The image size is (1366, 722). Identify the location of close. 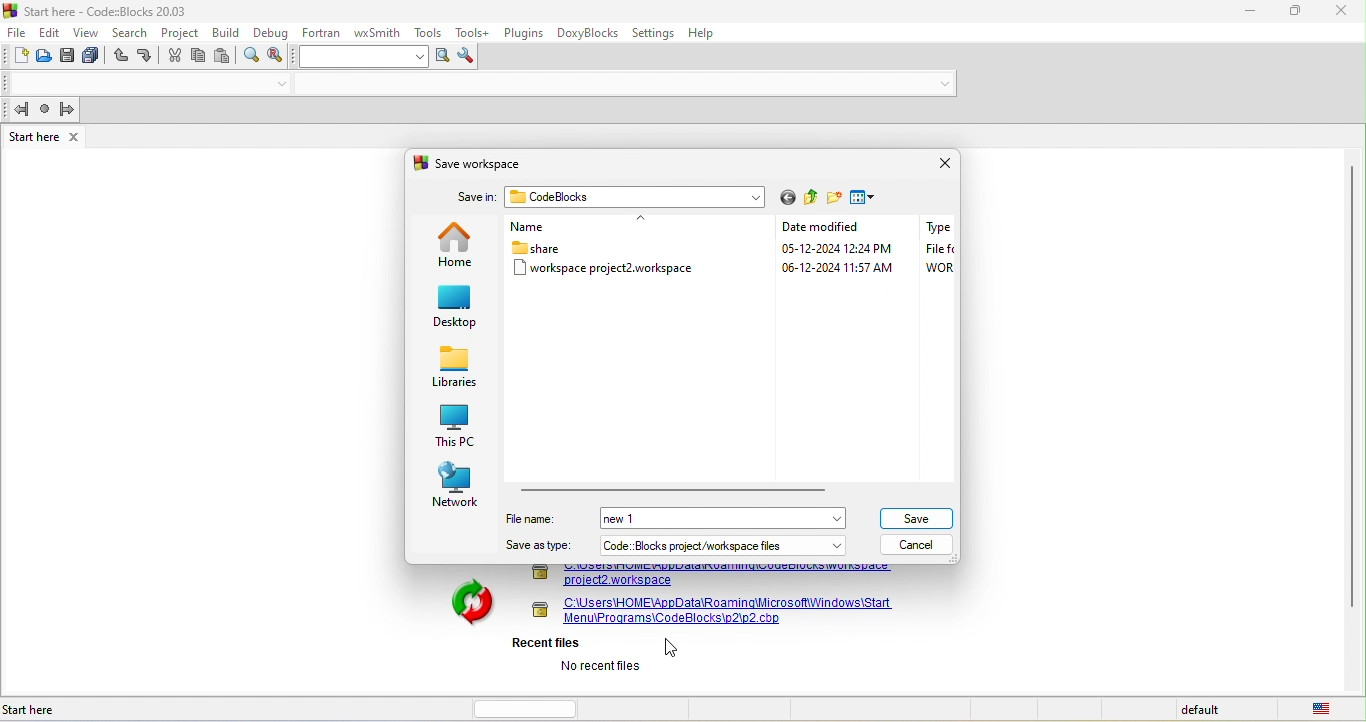
(1343, 14).